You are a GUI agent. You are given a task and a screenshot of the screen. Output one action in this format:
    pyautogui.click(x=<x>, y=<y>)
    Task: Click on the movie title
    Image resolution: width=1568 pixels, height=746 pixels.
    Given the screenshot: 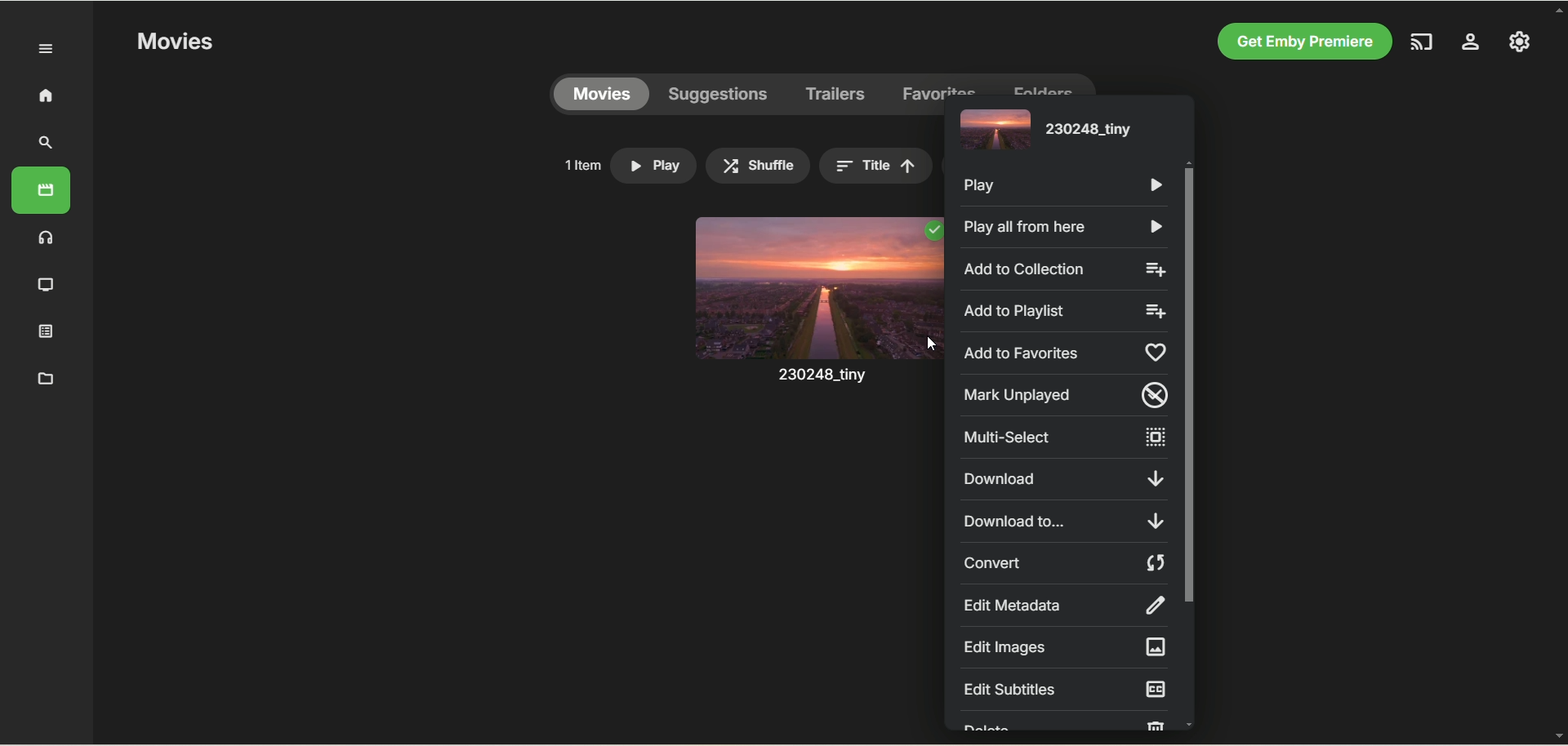 What is the action you would take?
    pyautogui.click(x=1043, y=132)
    